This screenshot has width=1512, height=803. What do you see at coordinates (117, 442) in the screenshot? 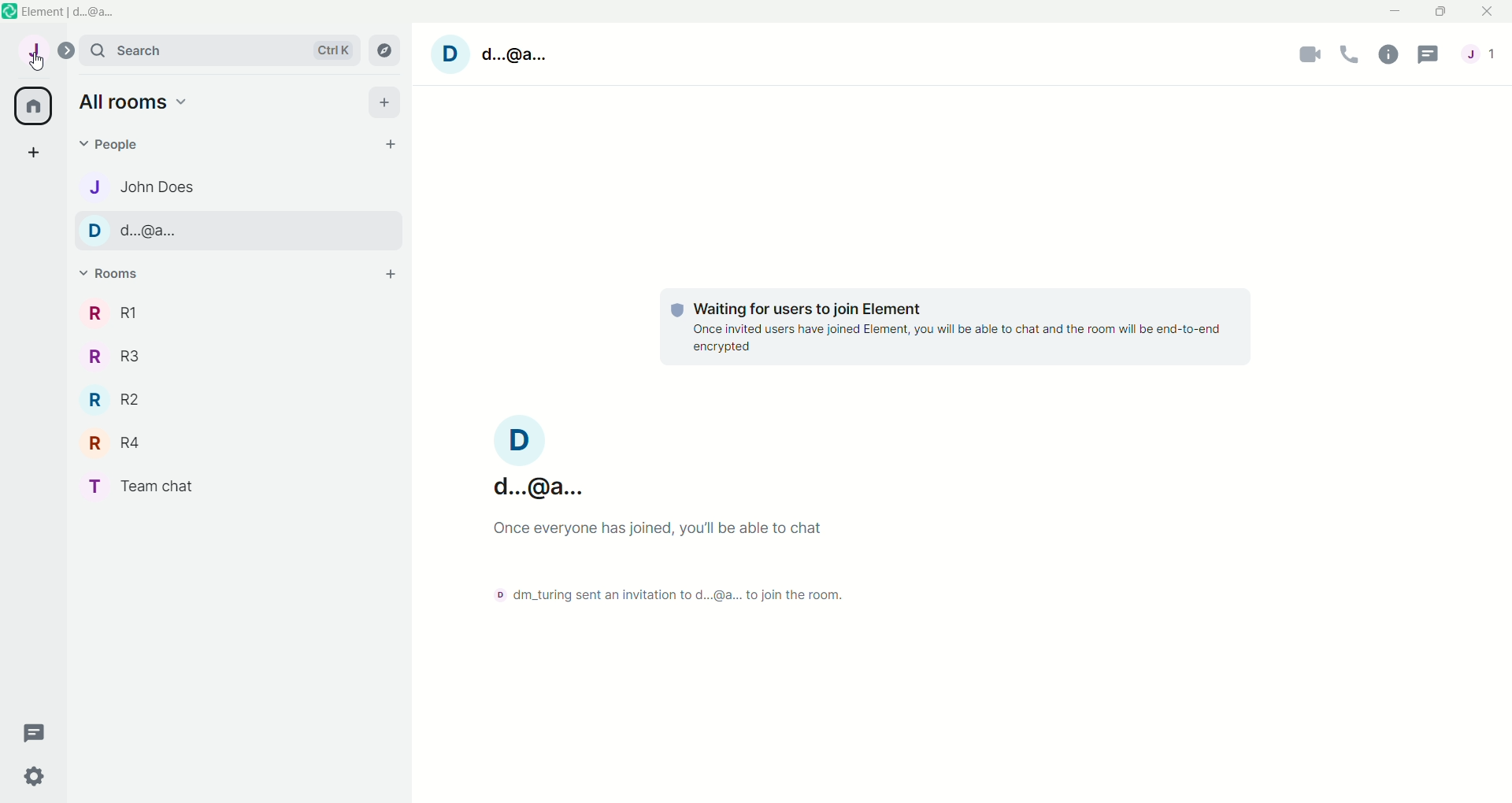
I see `R R4` at bounding box center [117, 442].